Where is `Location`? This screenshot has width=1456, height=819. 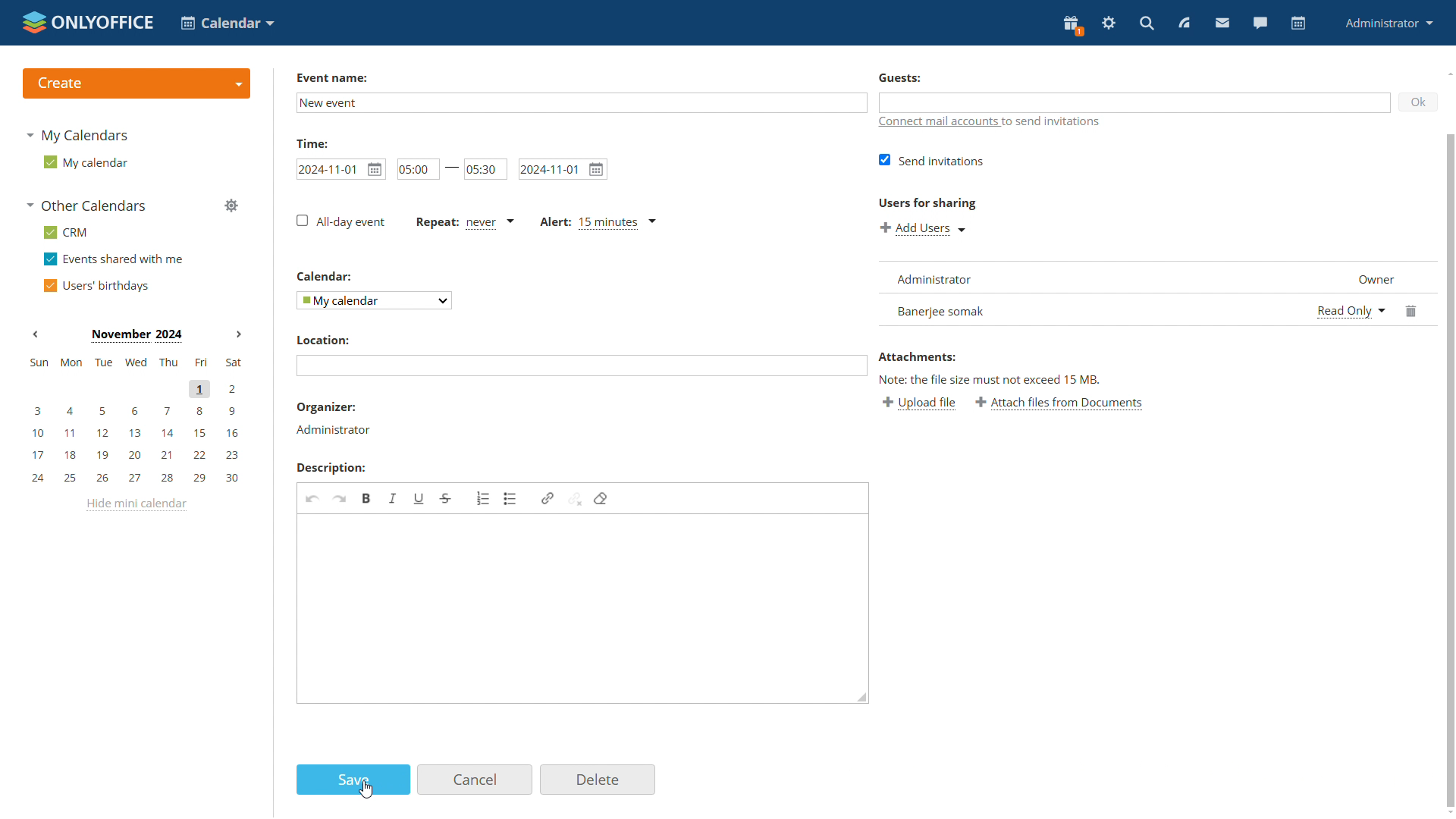 Location is located at coordinates (322, 339).